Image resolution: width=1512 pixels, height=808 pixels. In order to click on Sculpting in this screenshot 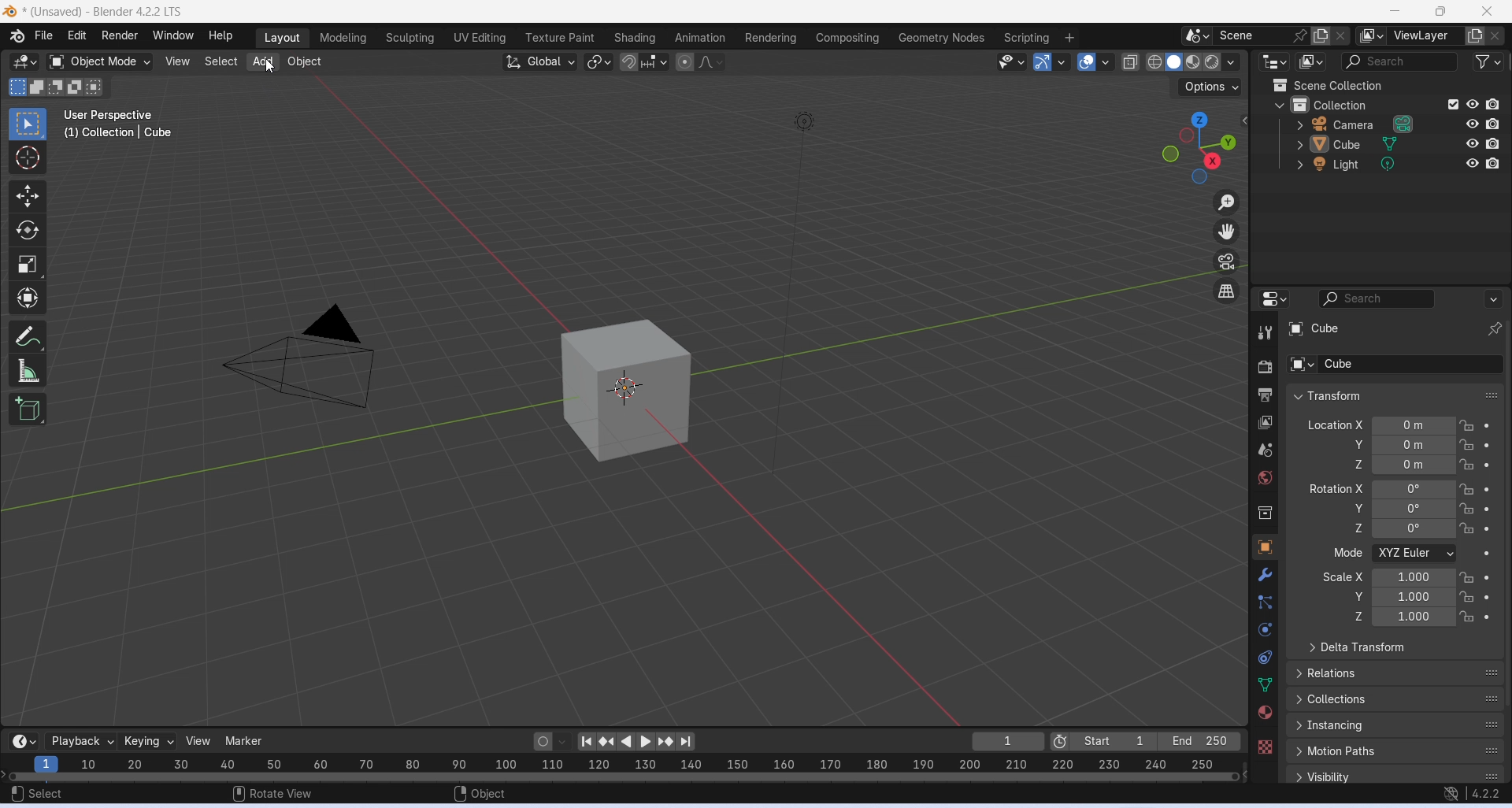, I will do `click(409, 39)`.